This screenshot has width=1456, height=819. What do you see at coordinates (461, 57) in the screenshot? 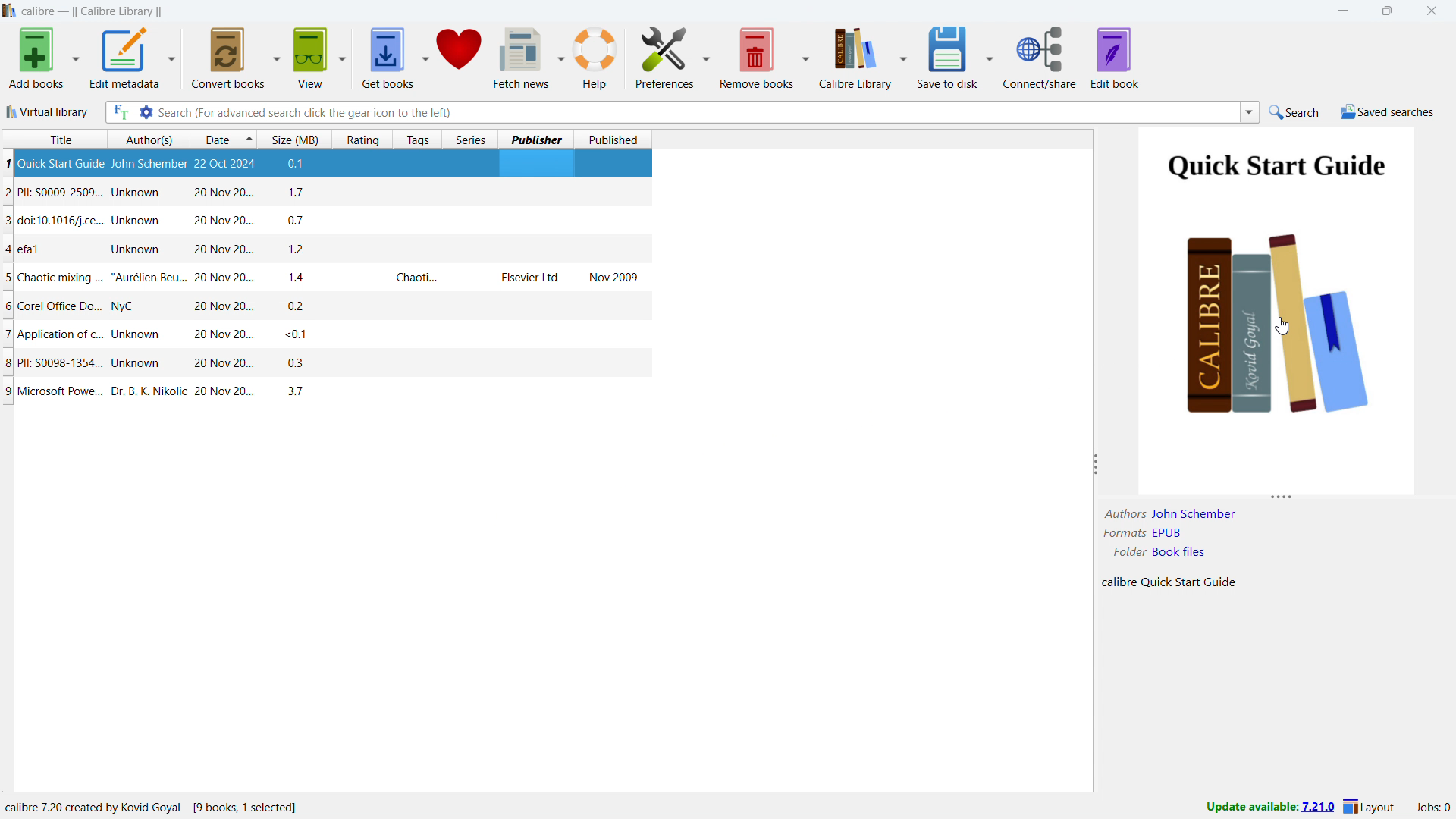
I see `donate to calibre` at bounding box center [461, 57].